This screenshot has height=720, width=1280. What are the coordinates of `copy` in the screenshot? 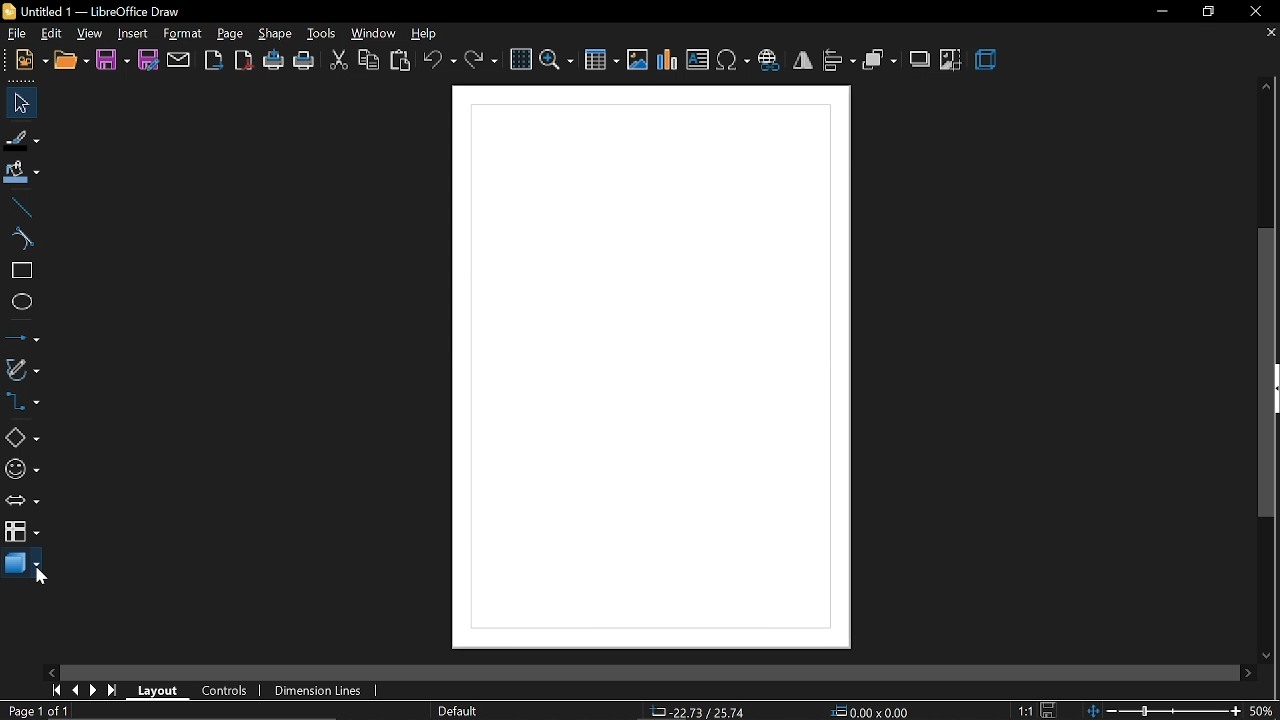 It's located at (368, 63).